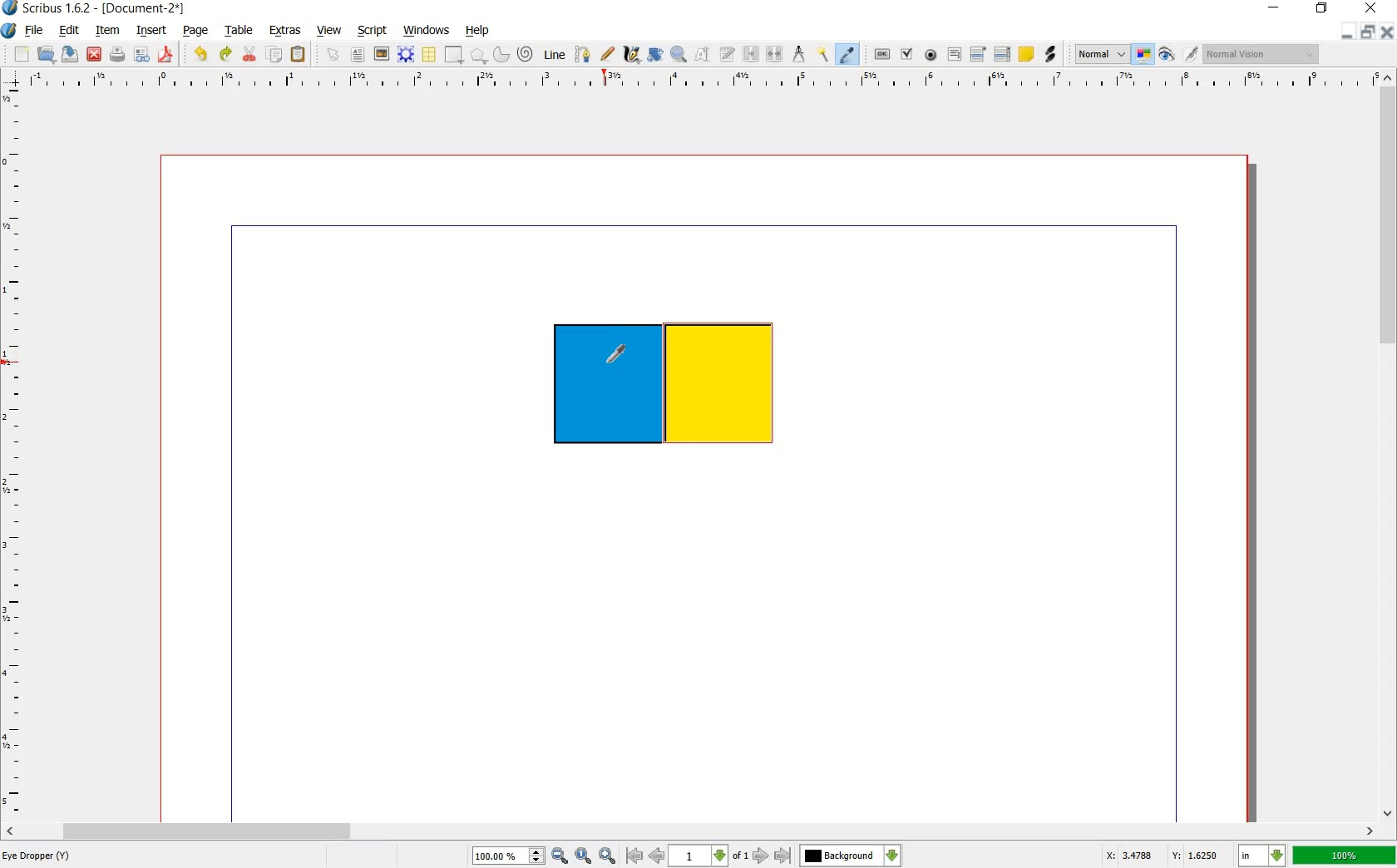  What do you see at coordinates (329, 29) in the screenshot?
I see `view` at bounding box center [329, 29].